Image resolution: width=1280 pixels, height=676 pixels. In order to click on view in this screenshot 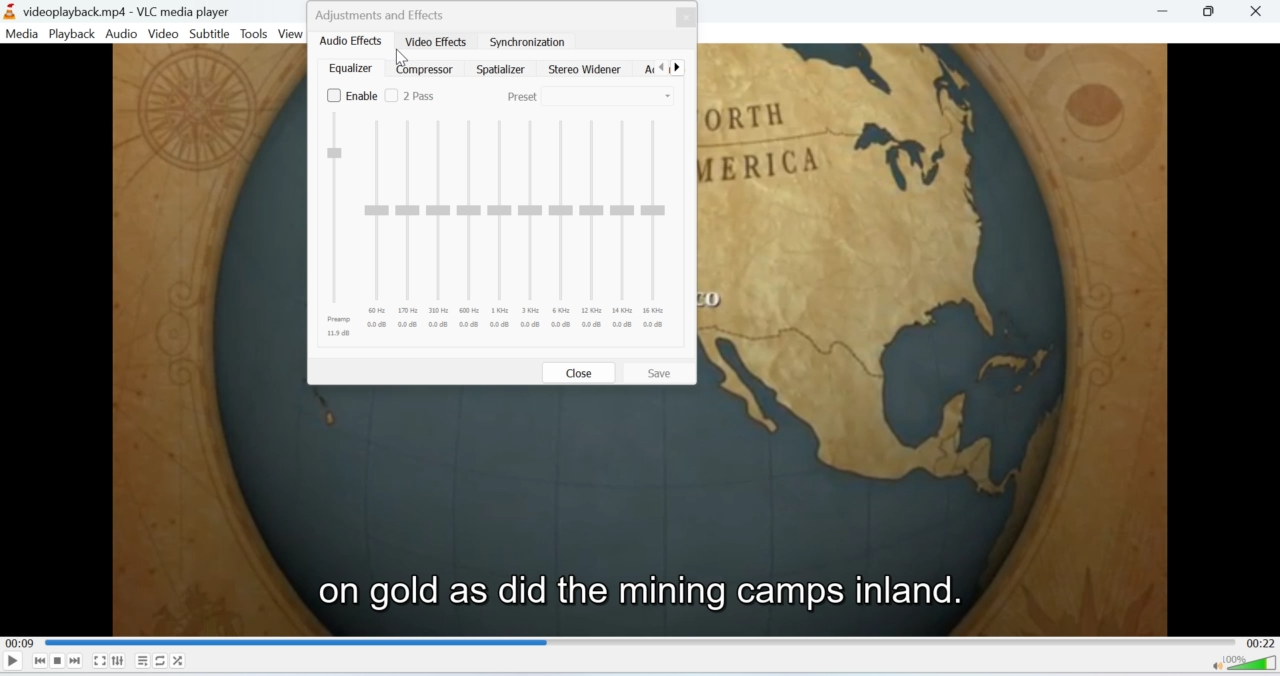, I will do `click(293, 35)`.